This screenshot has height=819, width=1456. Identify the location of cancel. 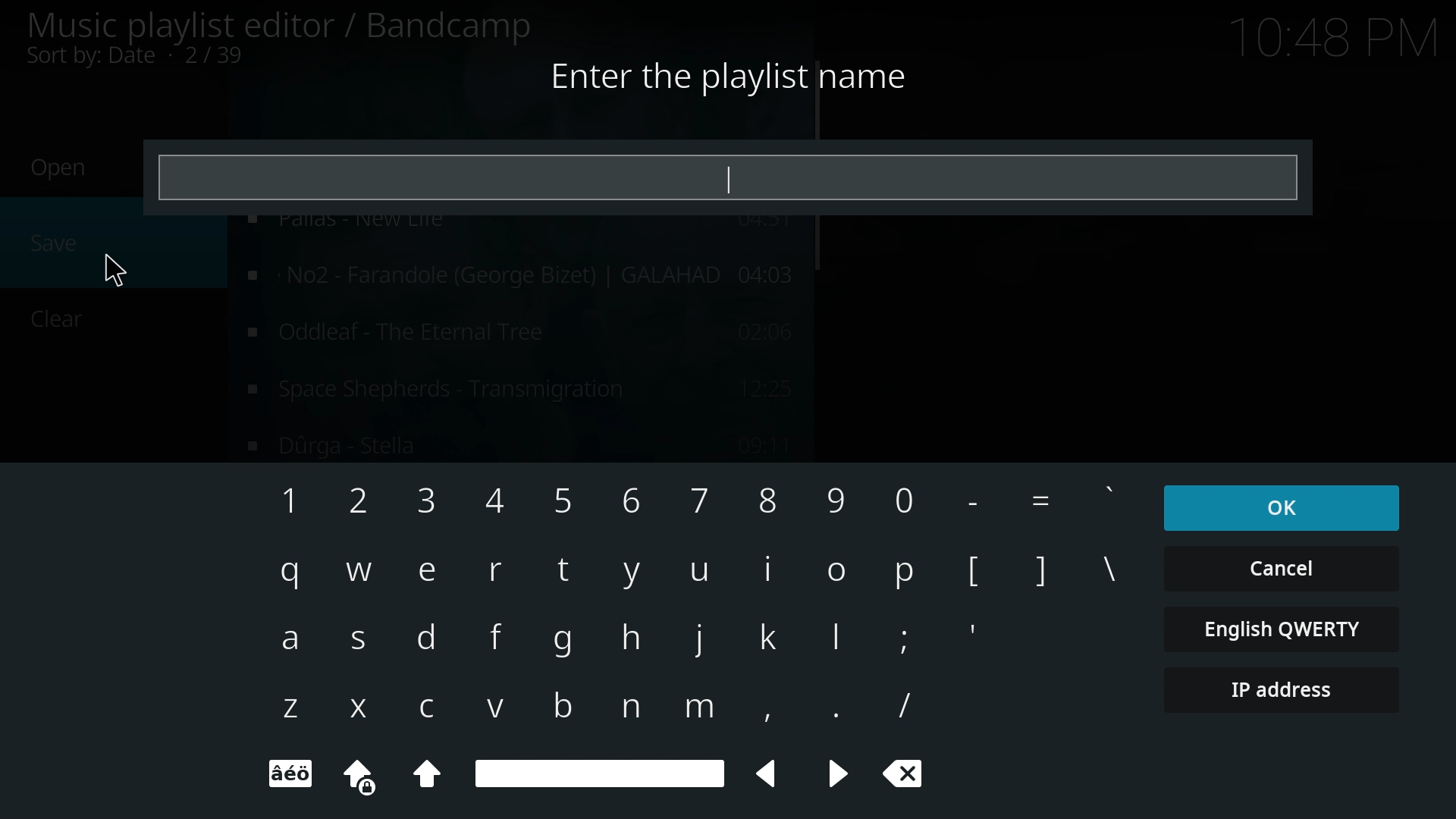
(1286, 571).